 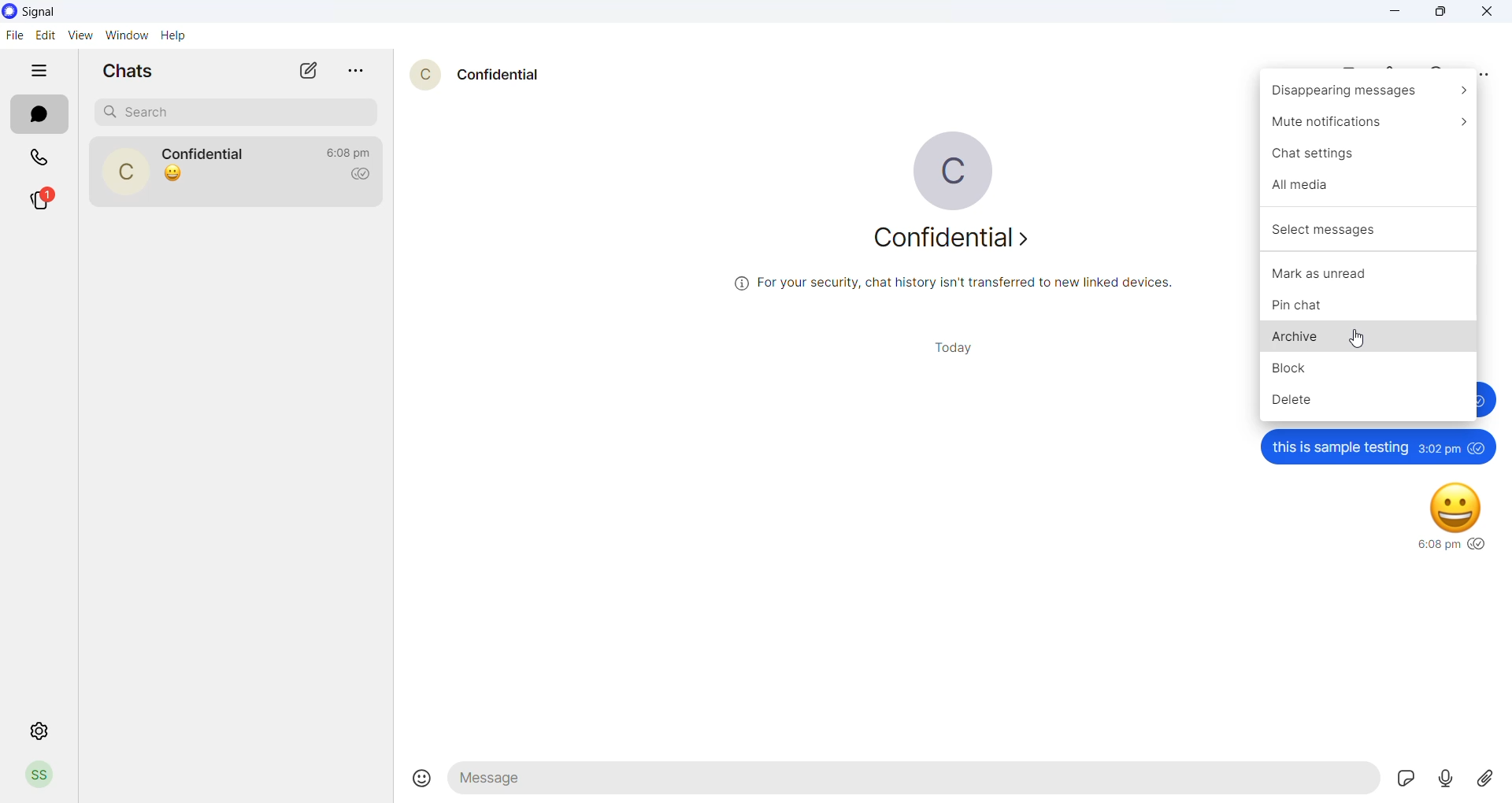 What do you see at coordinates (1439, 448) in the screenshot?
I see `3:02 pm` at bounding box center [1439, 448].